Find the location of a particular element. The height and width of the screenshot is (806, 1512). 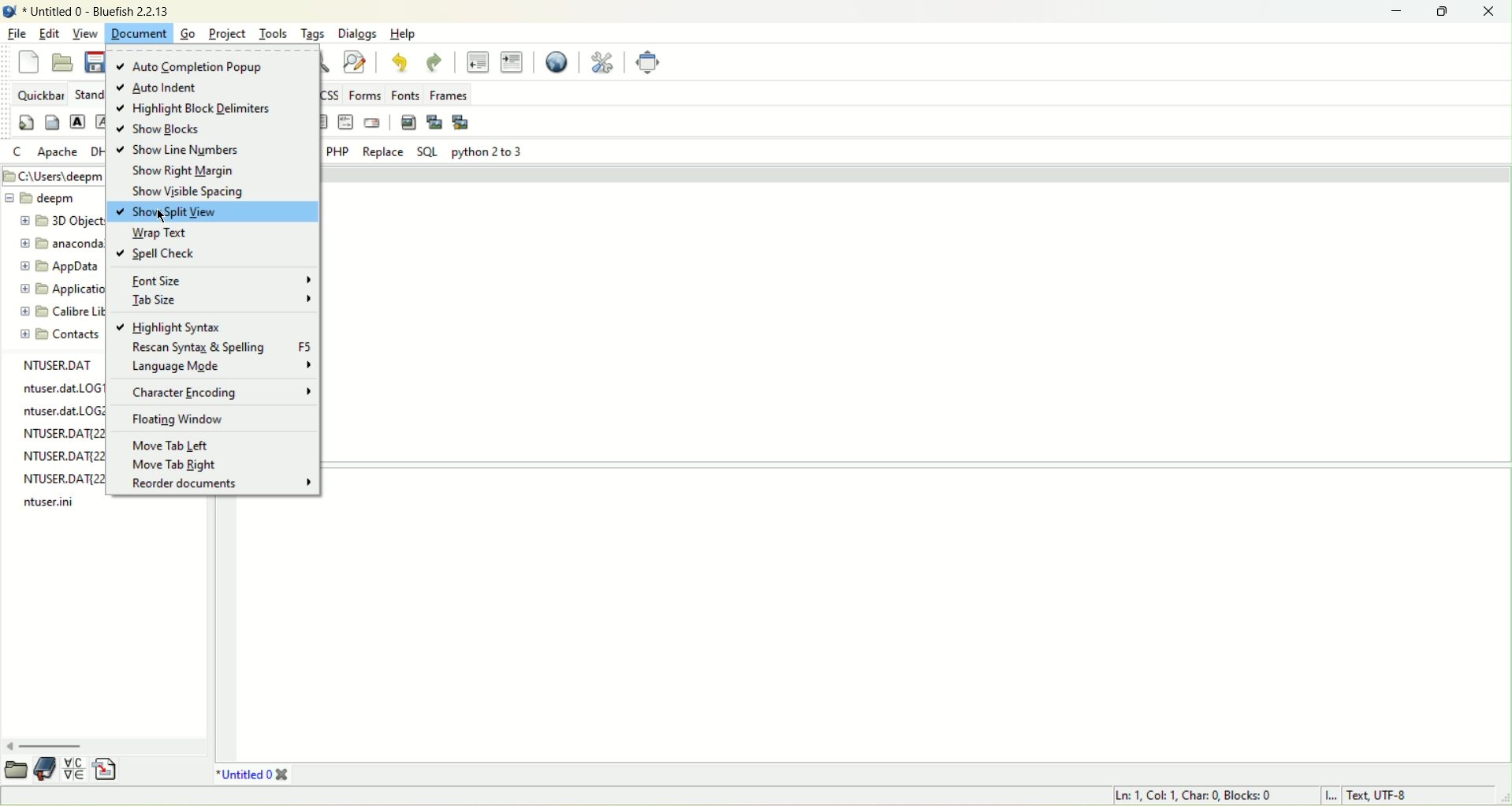

splitpane is located at coordinates (918, 464).